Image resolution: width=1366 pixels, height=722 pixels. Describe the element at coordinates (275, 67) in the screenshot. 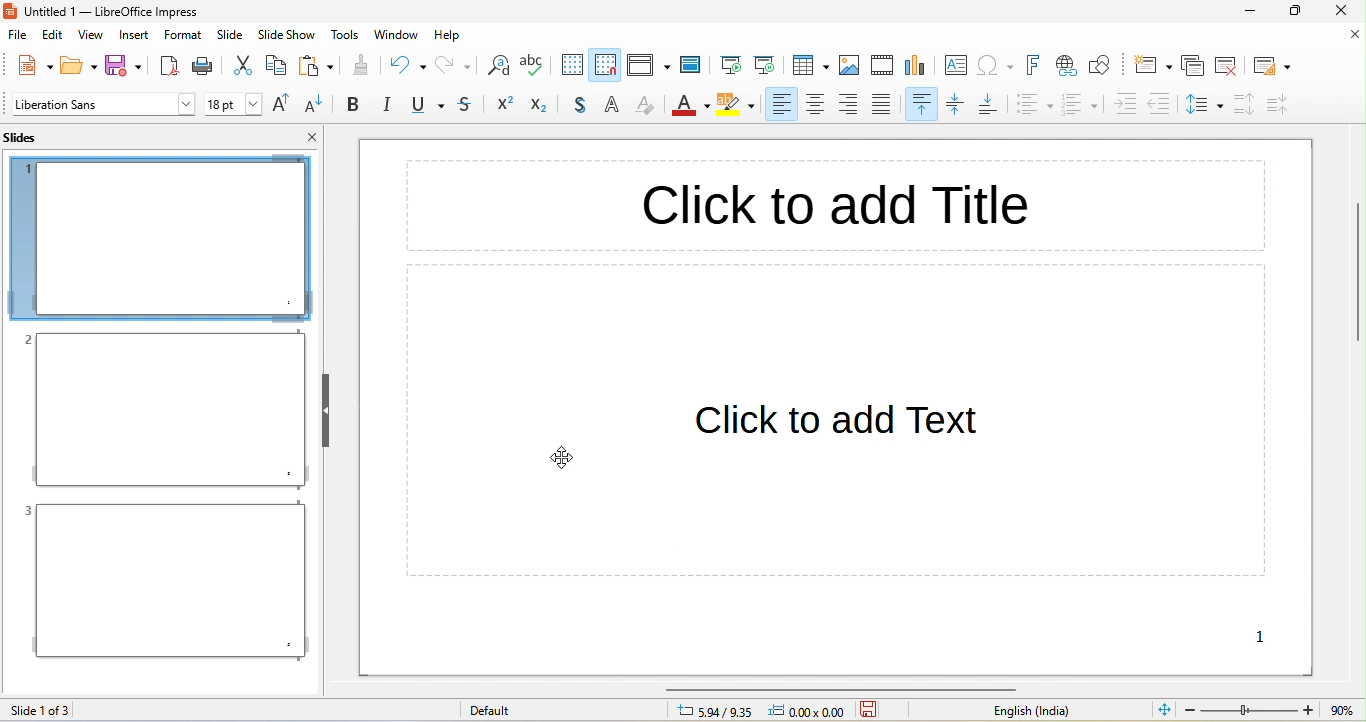

I see `ccopy` at that location.